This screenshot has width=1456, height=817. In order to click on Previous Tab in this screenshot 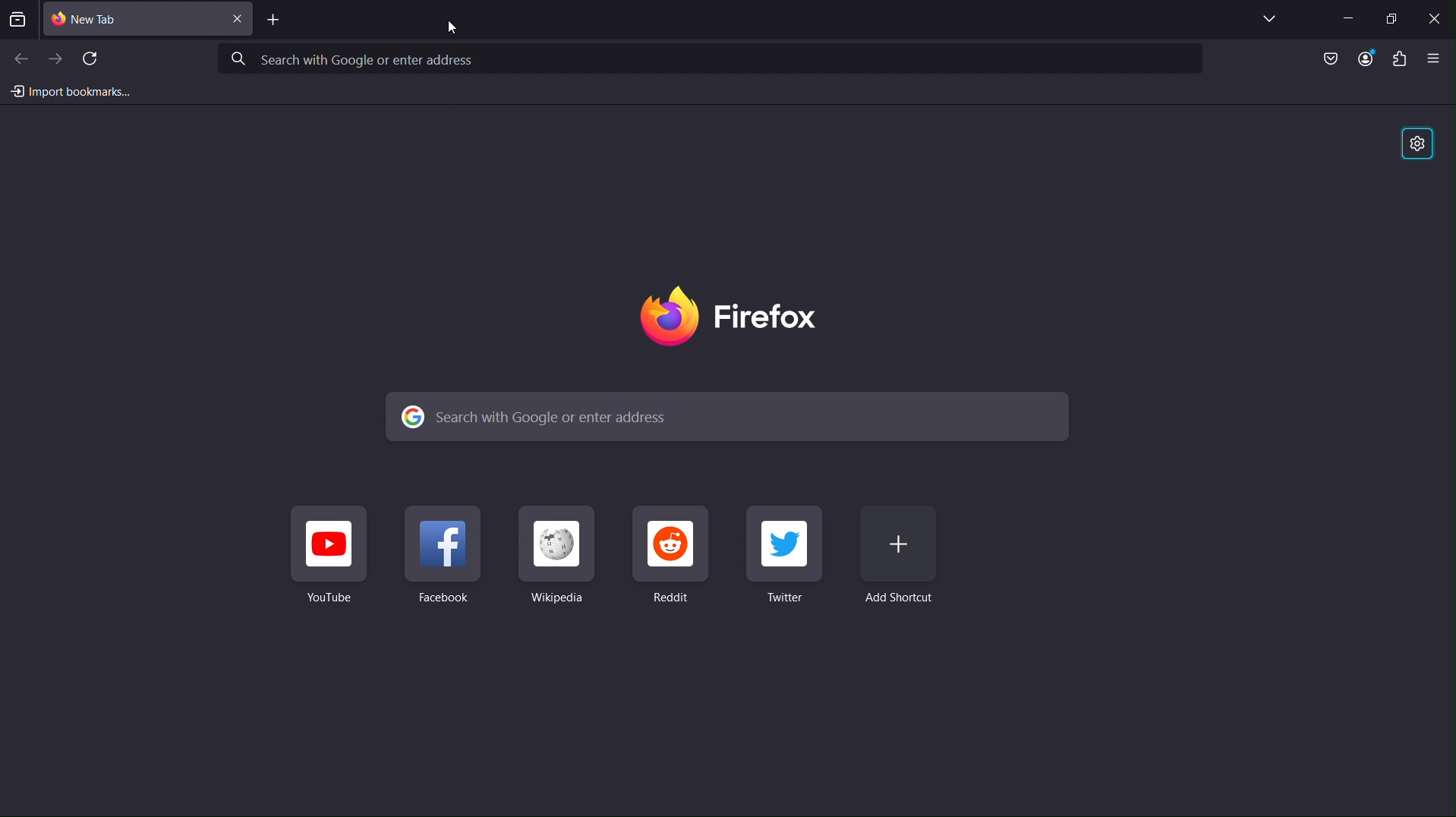, I will do `click(19, 56)`.